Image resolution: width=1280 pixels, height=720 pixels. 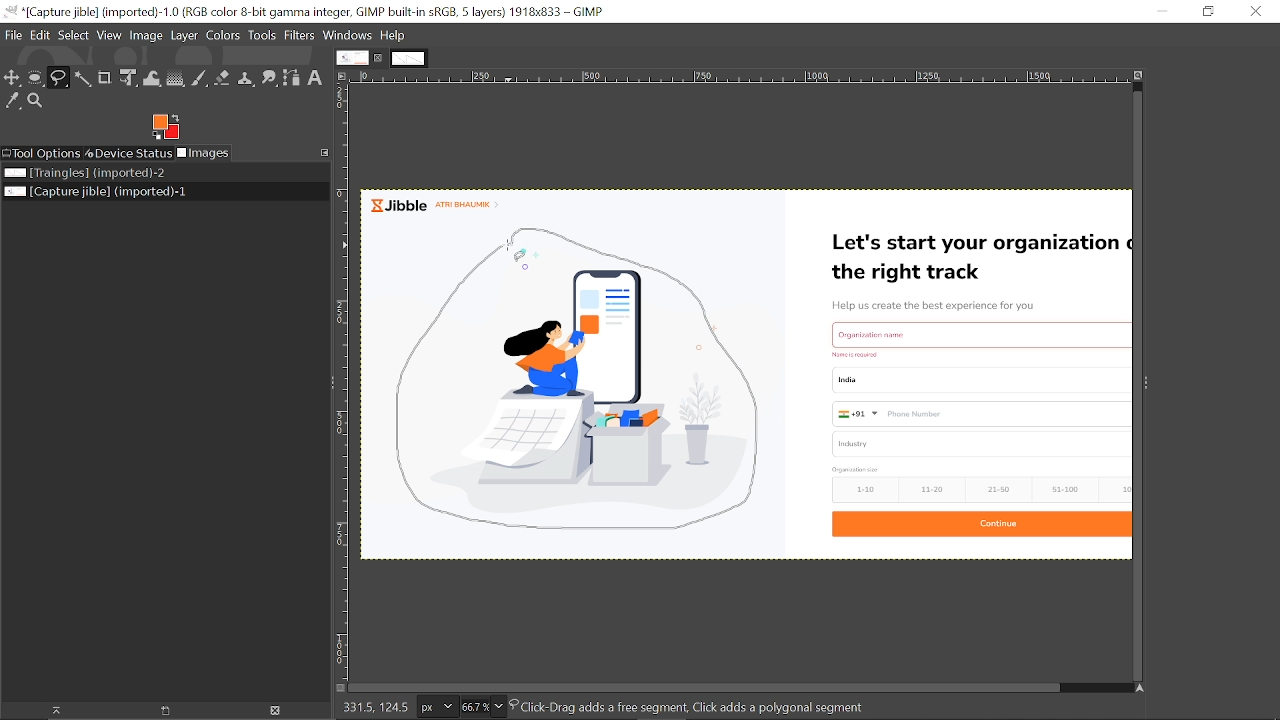 What do you see at coordinates (408, 58) in the screenshot?
I see `Other tab` at bounding box center [408, 58].